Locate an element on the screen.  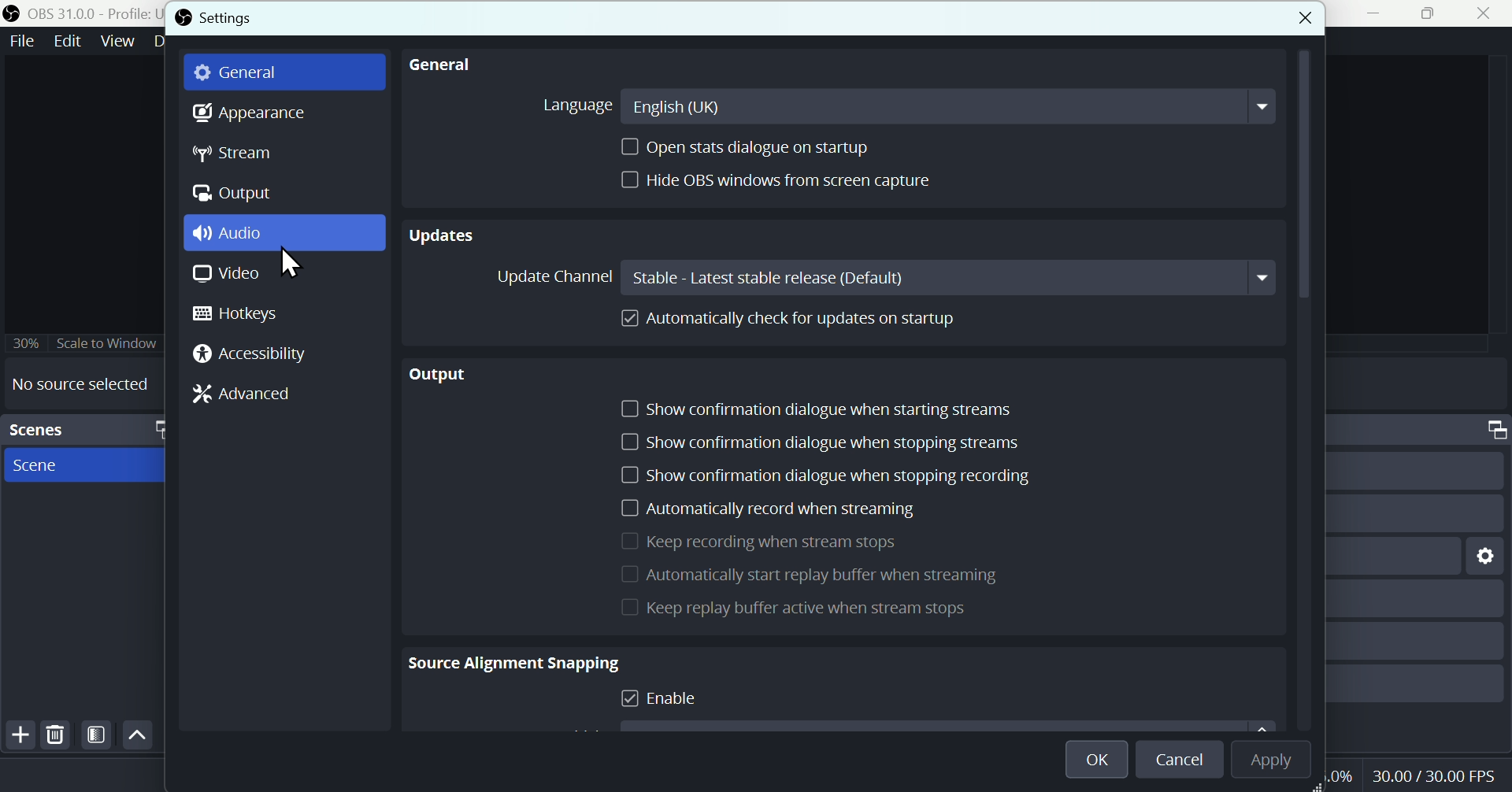
File is located at coordinates (23, 40).